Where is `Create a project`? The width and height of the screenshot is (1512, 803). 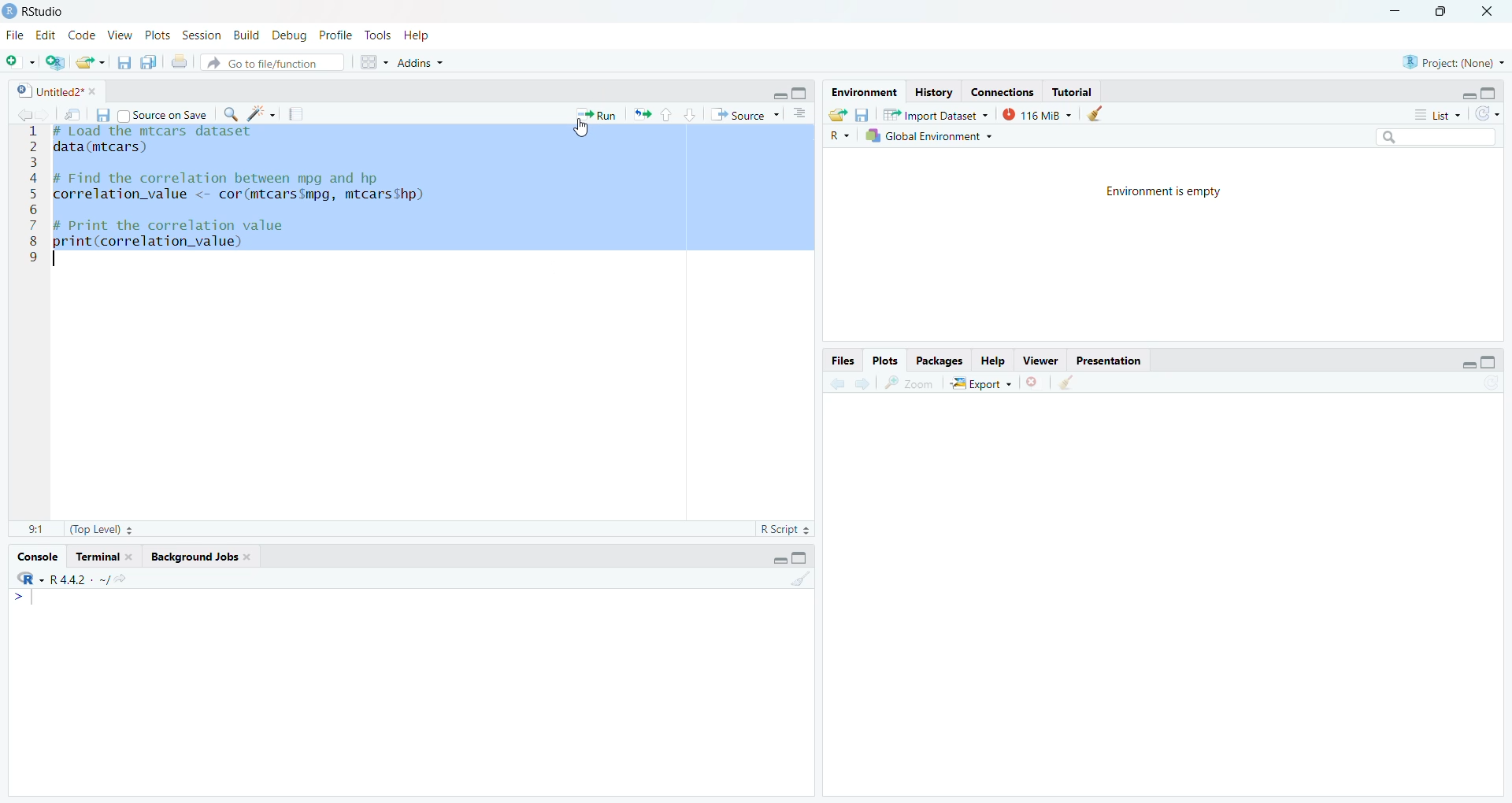
Create a project is located at coordinates (56, 63).